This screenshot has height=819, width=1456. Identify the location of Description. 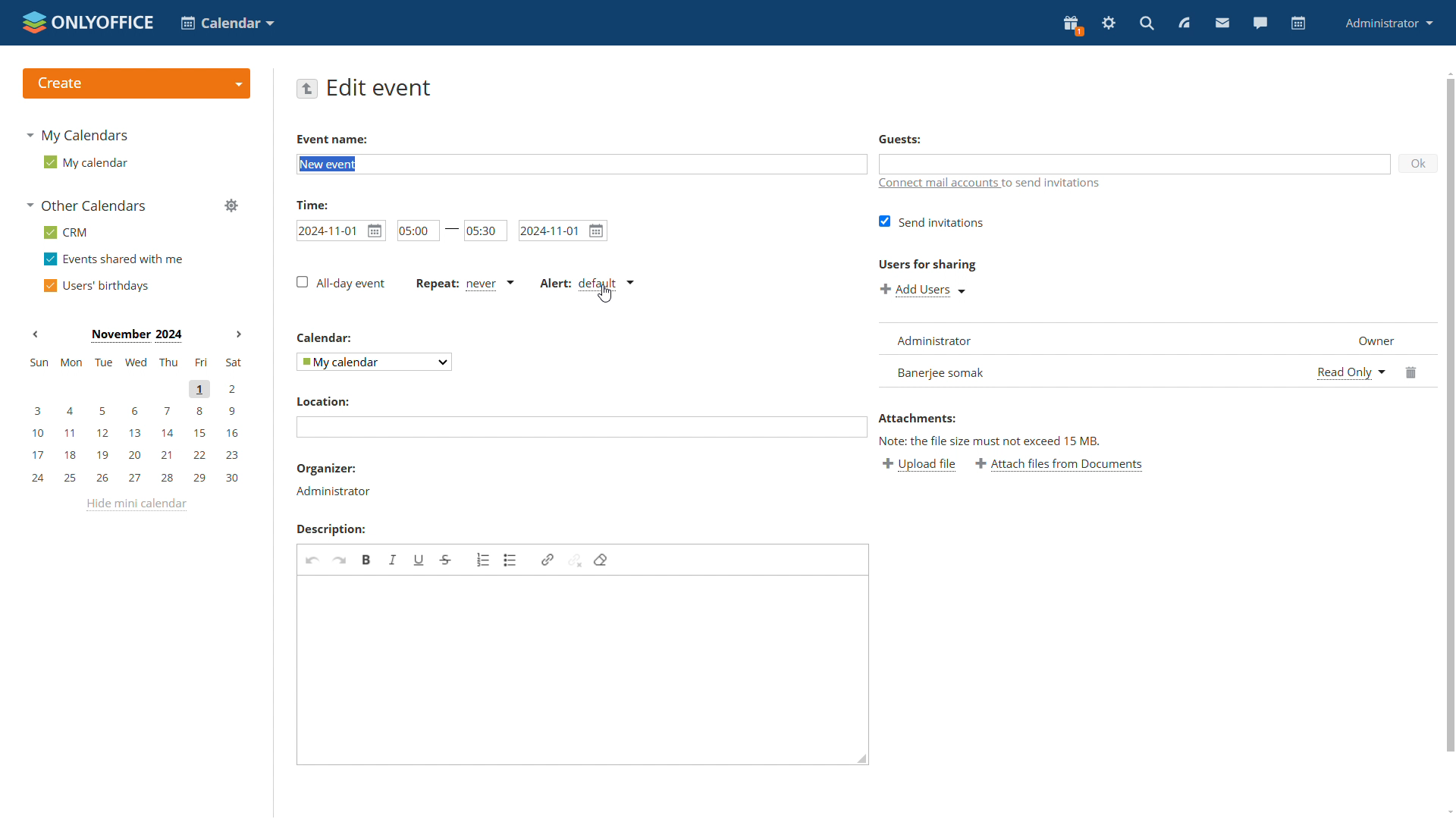
(331, 529).